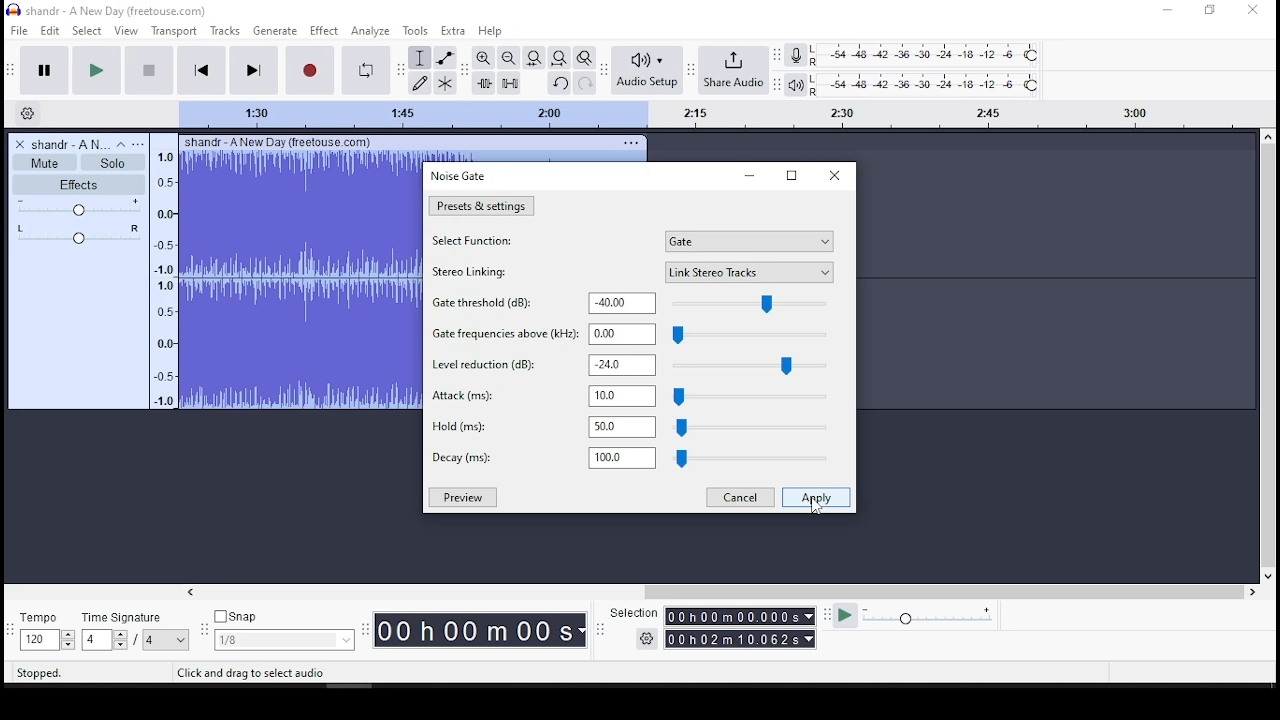 Image resolution: width=1280 pixels, height=720 pixels. What do you see at coordinates (585, 57) in the screenshot?
I see `zoom toggle` at bounding box center [585, 57].